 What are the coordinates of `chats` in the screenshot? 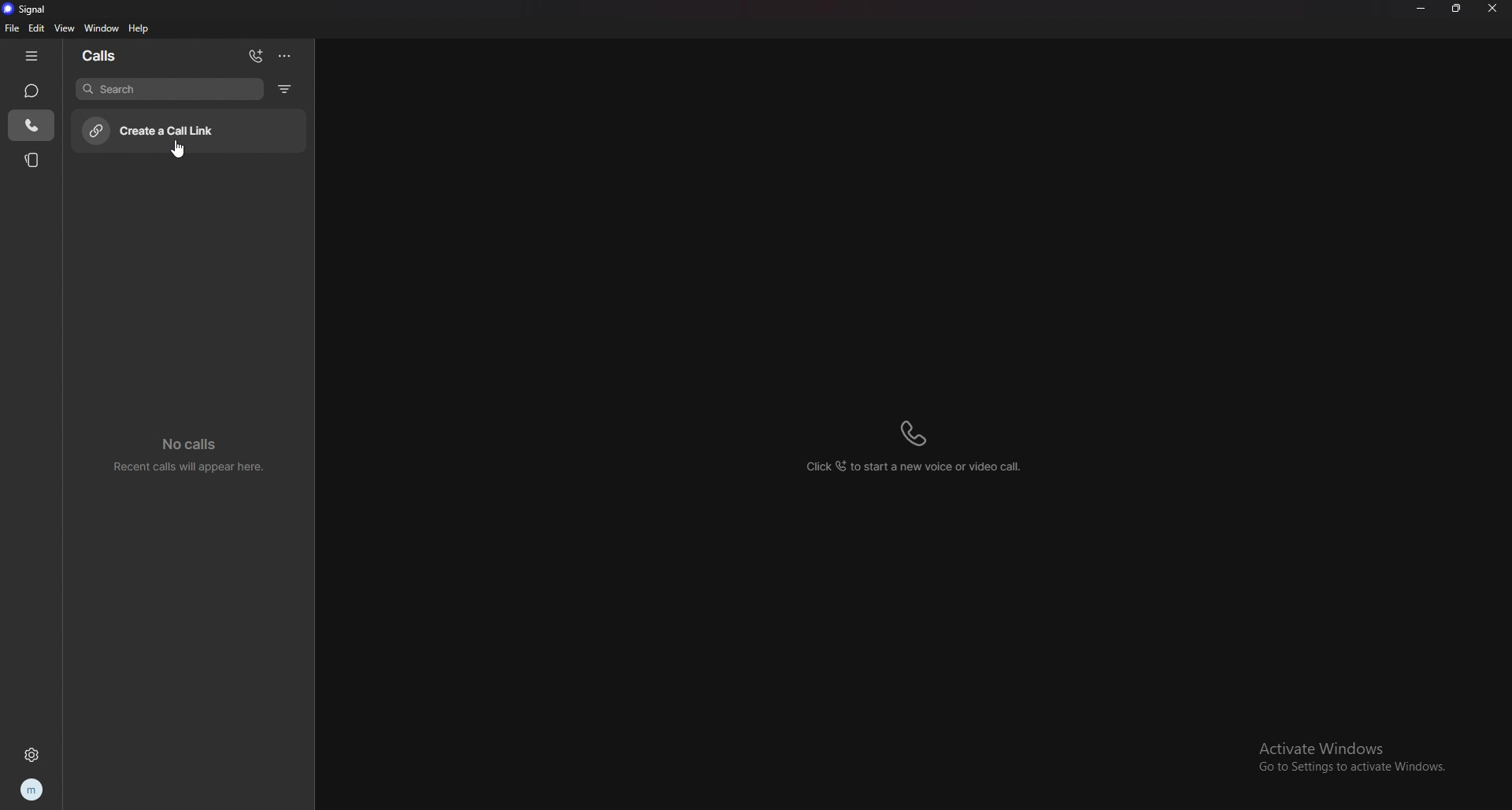 It's located at (31, 90).